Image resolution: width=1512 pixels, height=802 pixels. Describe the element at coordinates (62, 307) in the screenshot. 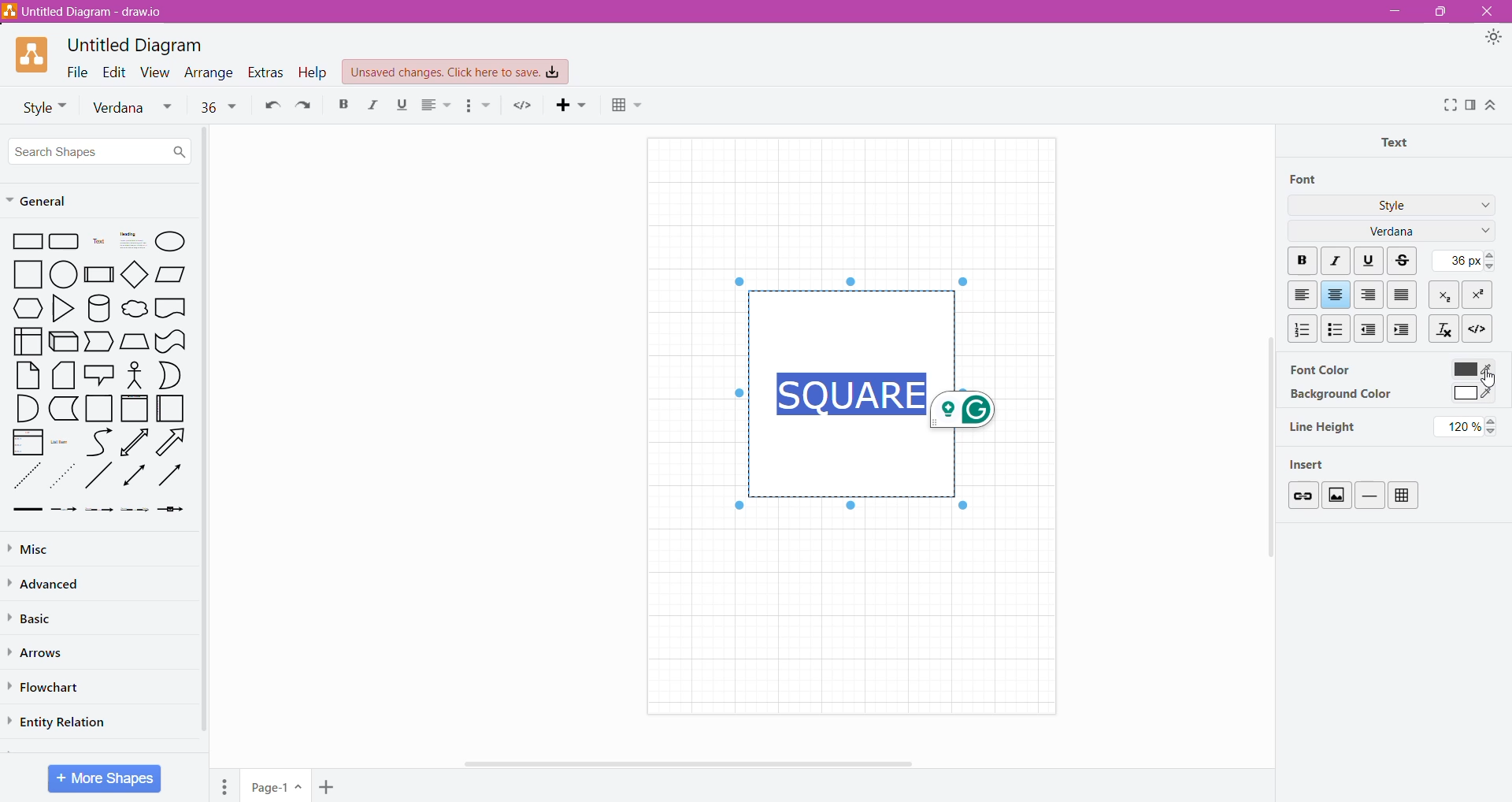

I see `Triangle ` at that location.